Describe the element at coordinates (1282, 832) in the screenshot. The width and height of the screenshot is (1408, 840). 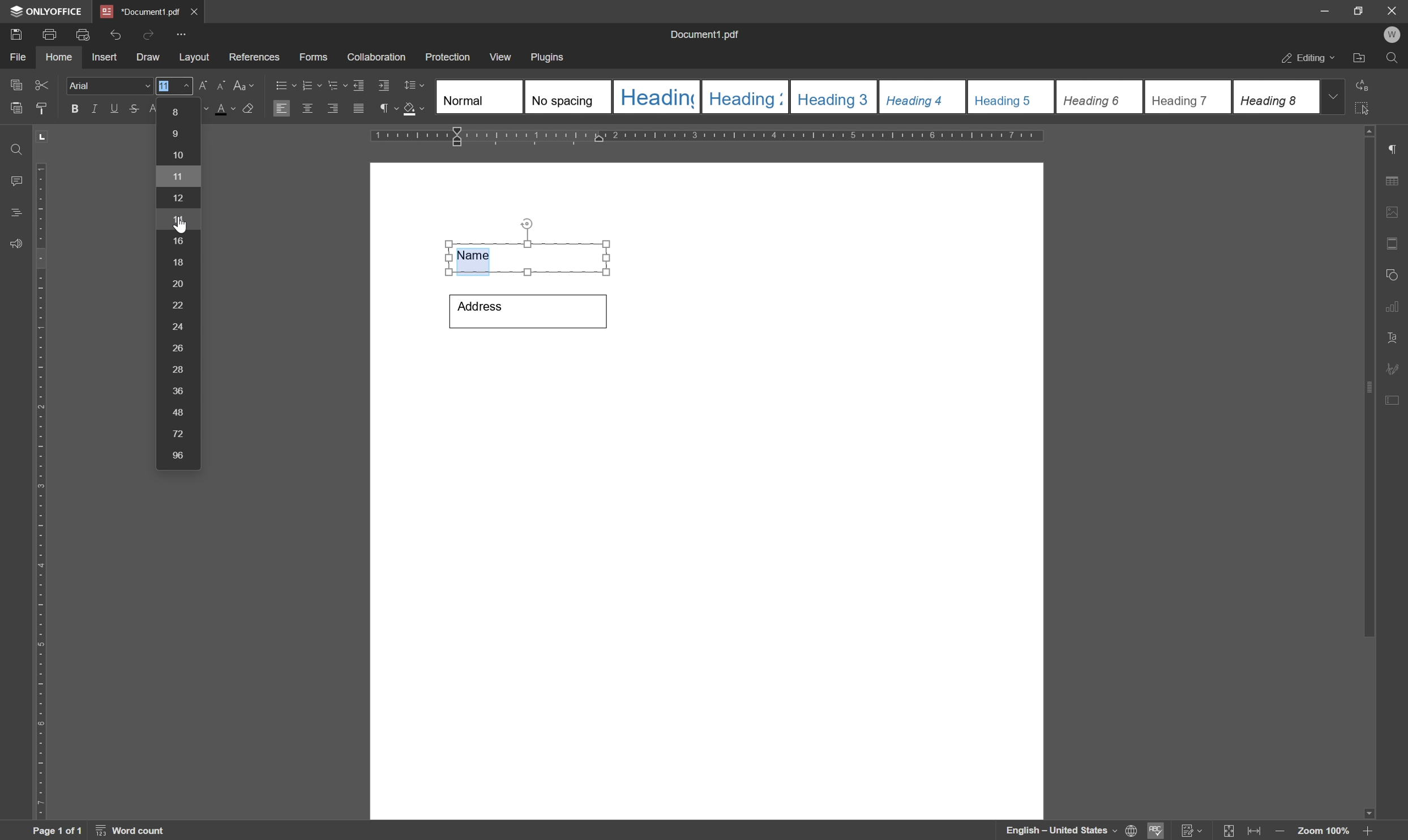
I see `zoom out` at that location.